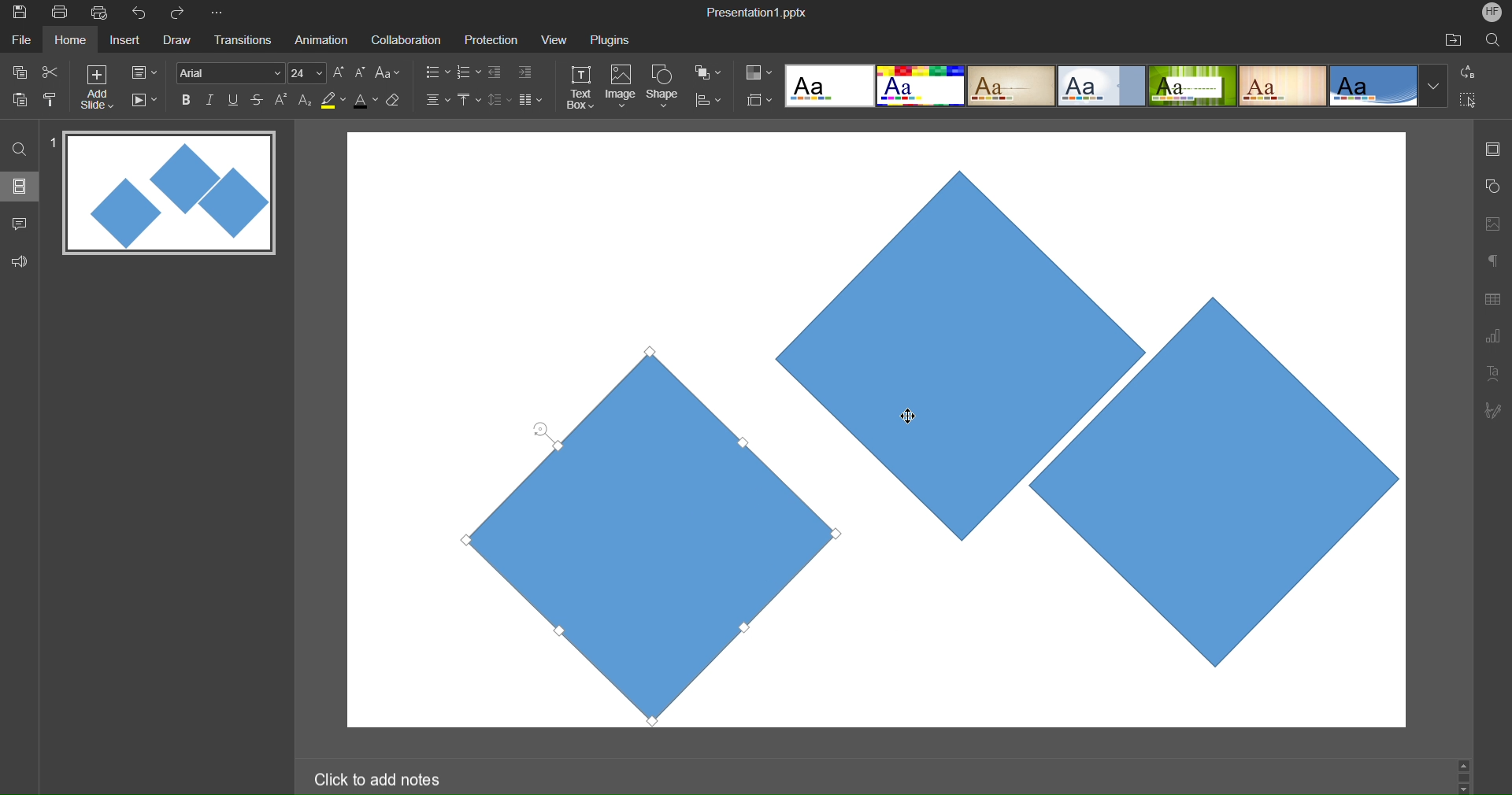 Image resolution: width=1512 pixels, height=795 pixels. Describe the element at coordinates (1463, 775) in the screenshot. I see `scrollbar` at that location.